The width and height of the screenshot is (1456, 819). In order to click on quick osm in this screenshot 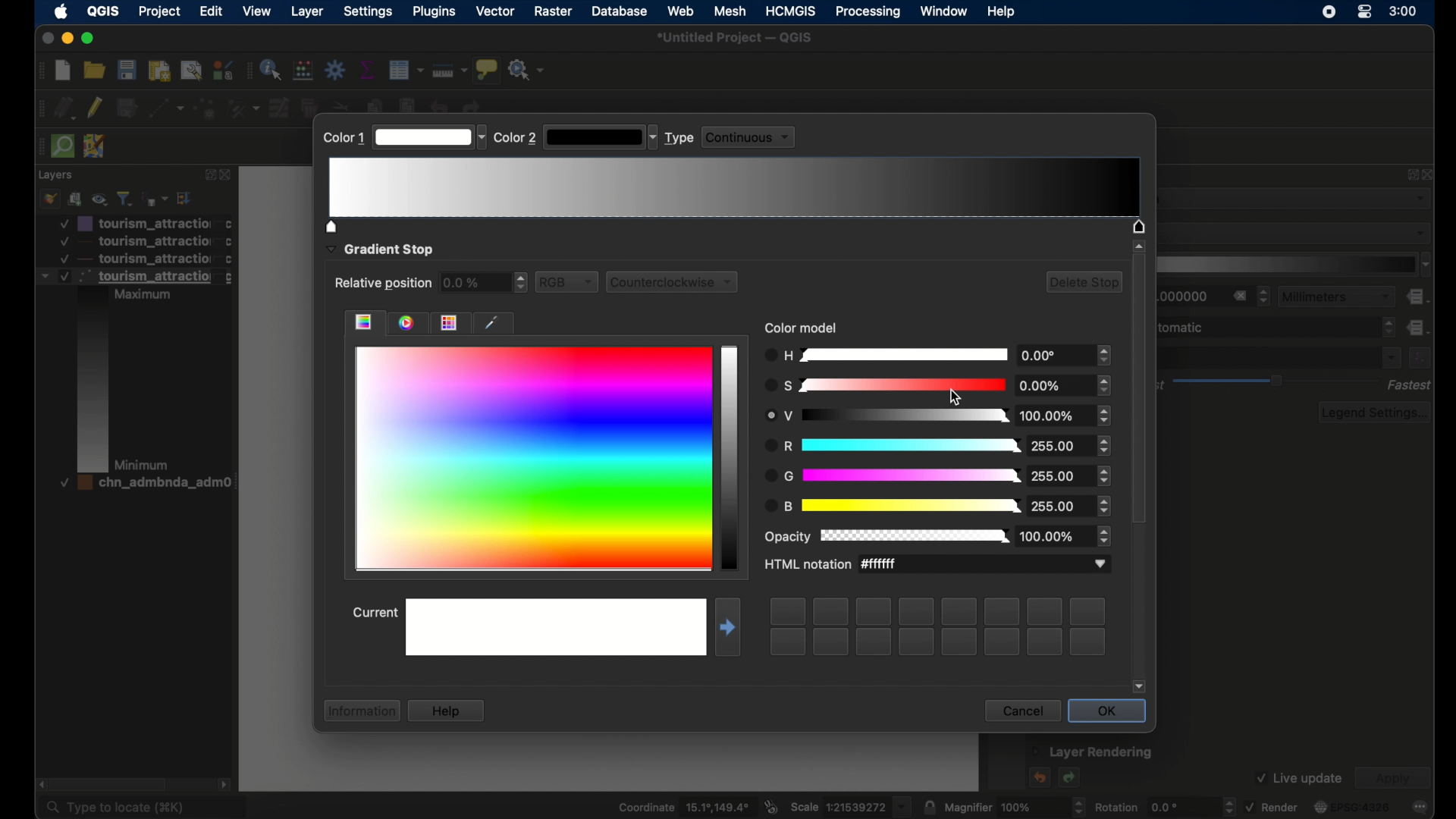, I will do `click(61, 146)`.